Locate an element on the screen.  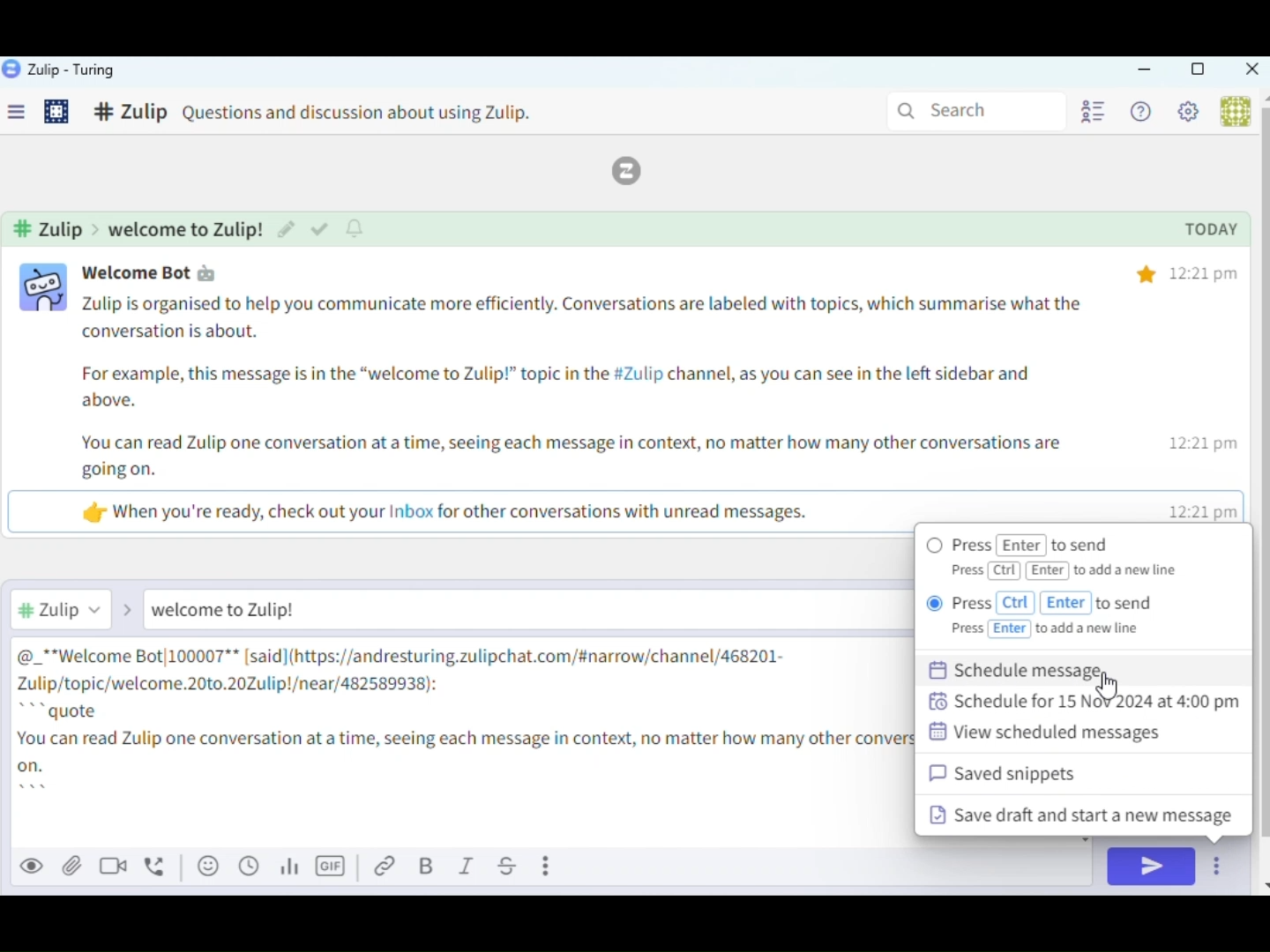
user name is located at coordinates (164, 272).